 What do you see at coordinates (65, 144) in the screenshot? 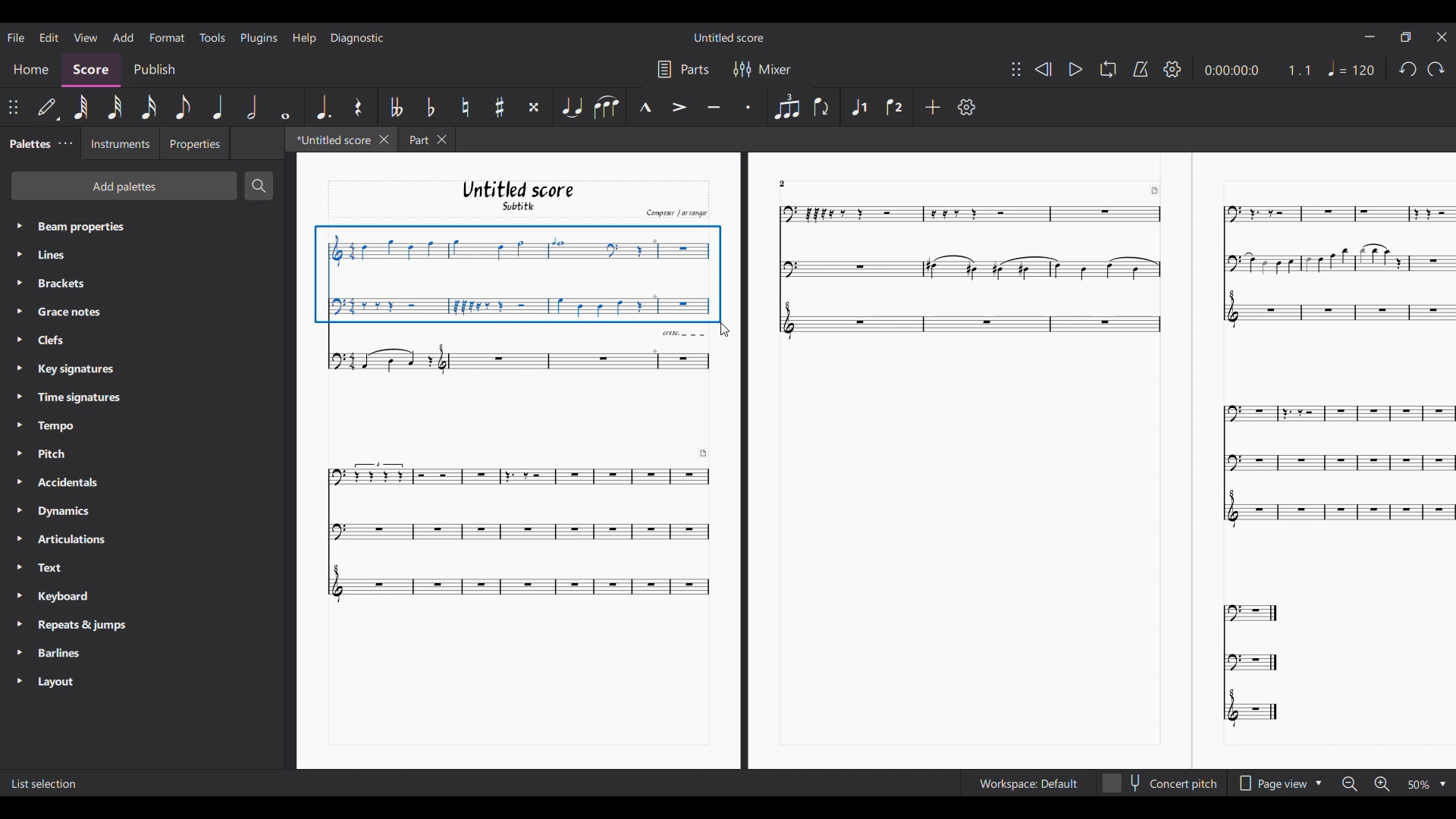
I see `Palette settings` at bounding box center [65, 144].